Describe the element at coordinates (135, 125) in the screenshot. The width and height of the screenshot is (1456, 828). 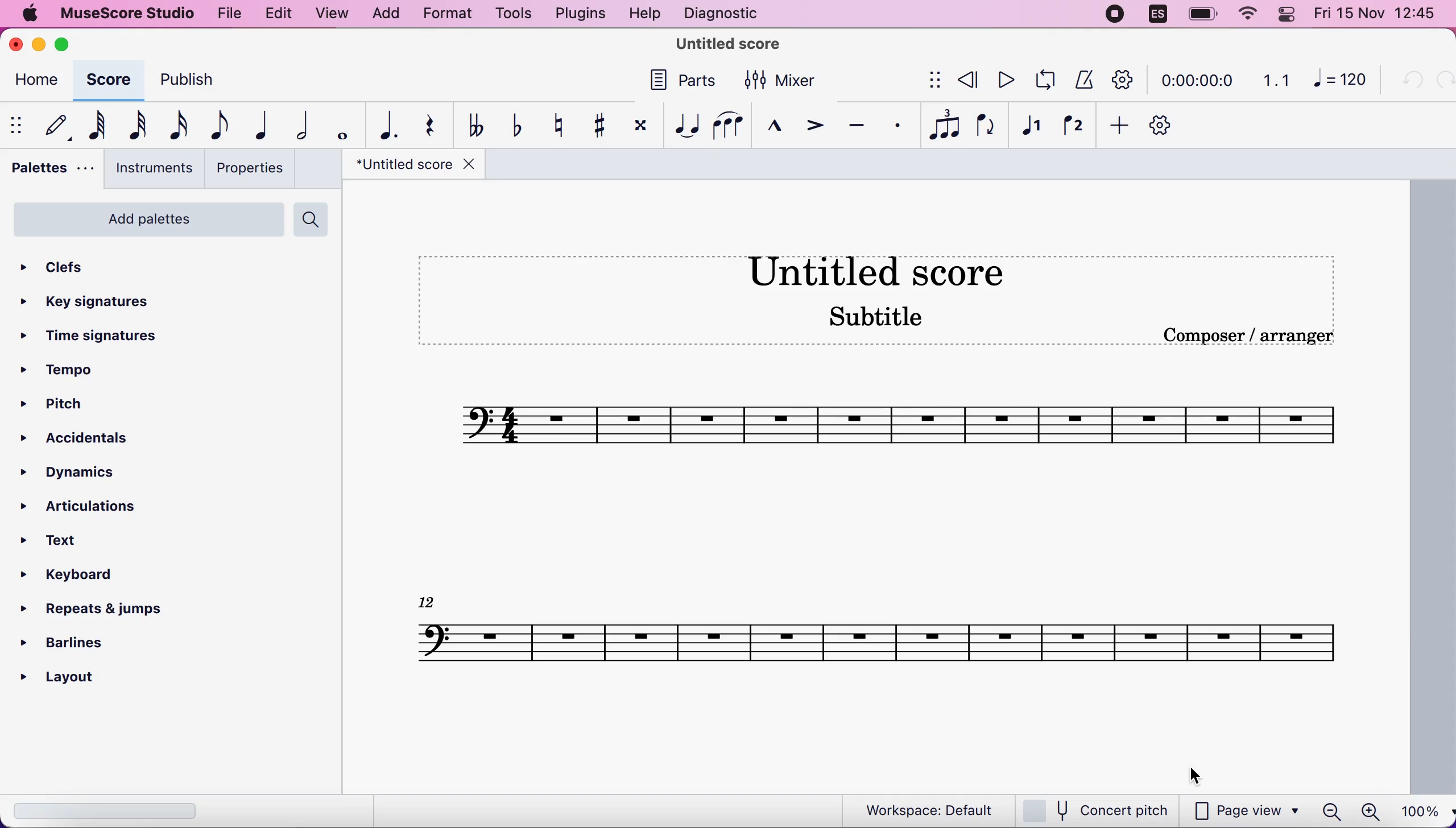
I see `32nd note` at that location.